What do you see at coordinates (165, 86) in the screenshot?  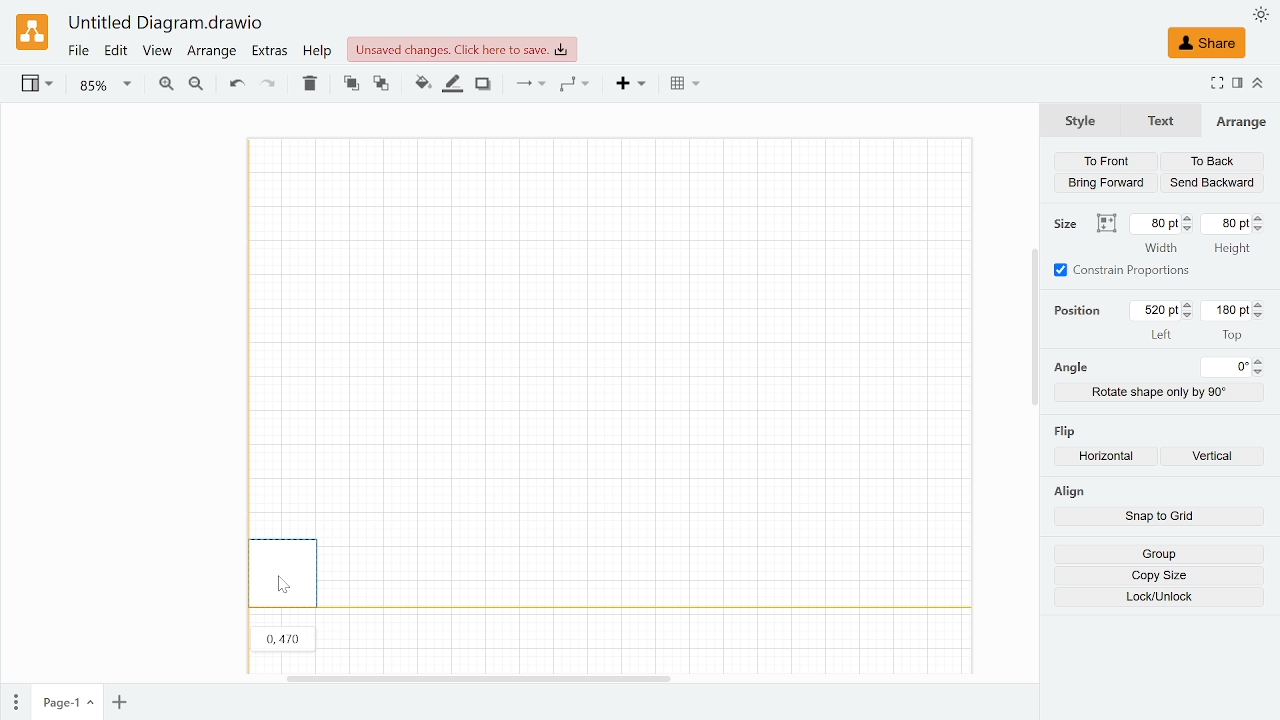 I see `Zoom in` at bounding box center [165, 86].